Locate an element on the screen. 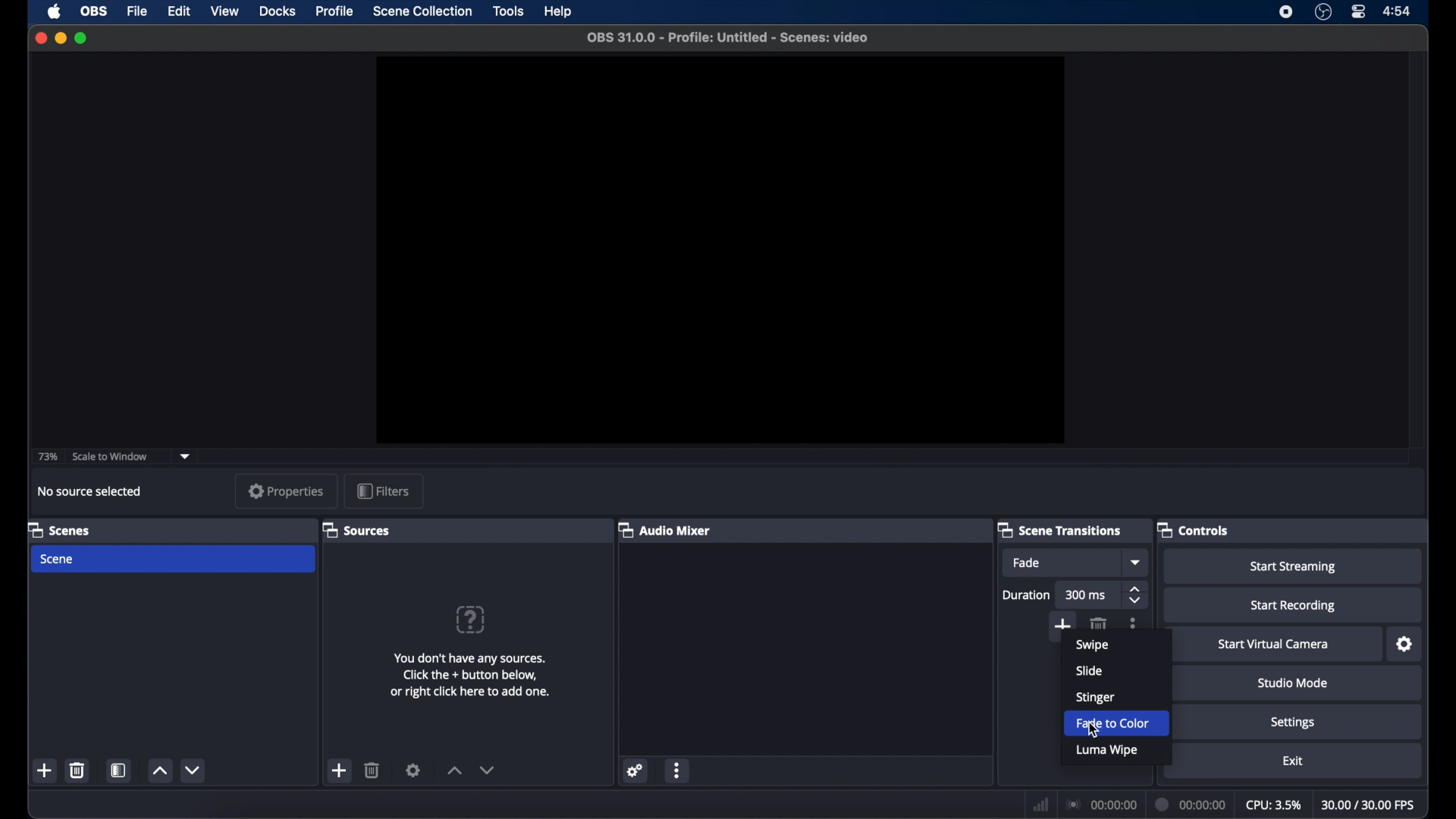  profile is located at coordinates (335, 12).